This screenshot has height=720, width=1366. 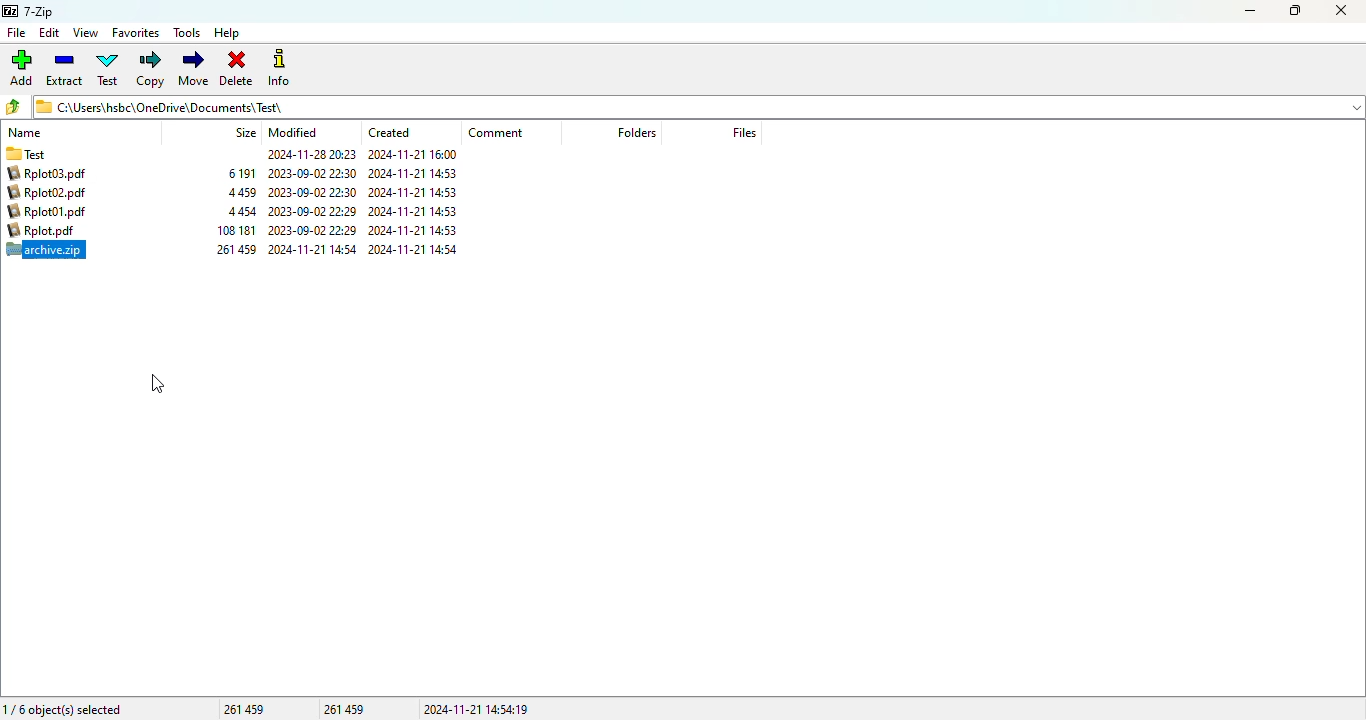 I want to click on 261 459, so click(x=244, y=708).